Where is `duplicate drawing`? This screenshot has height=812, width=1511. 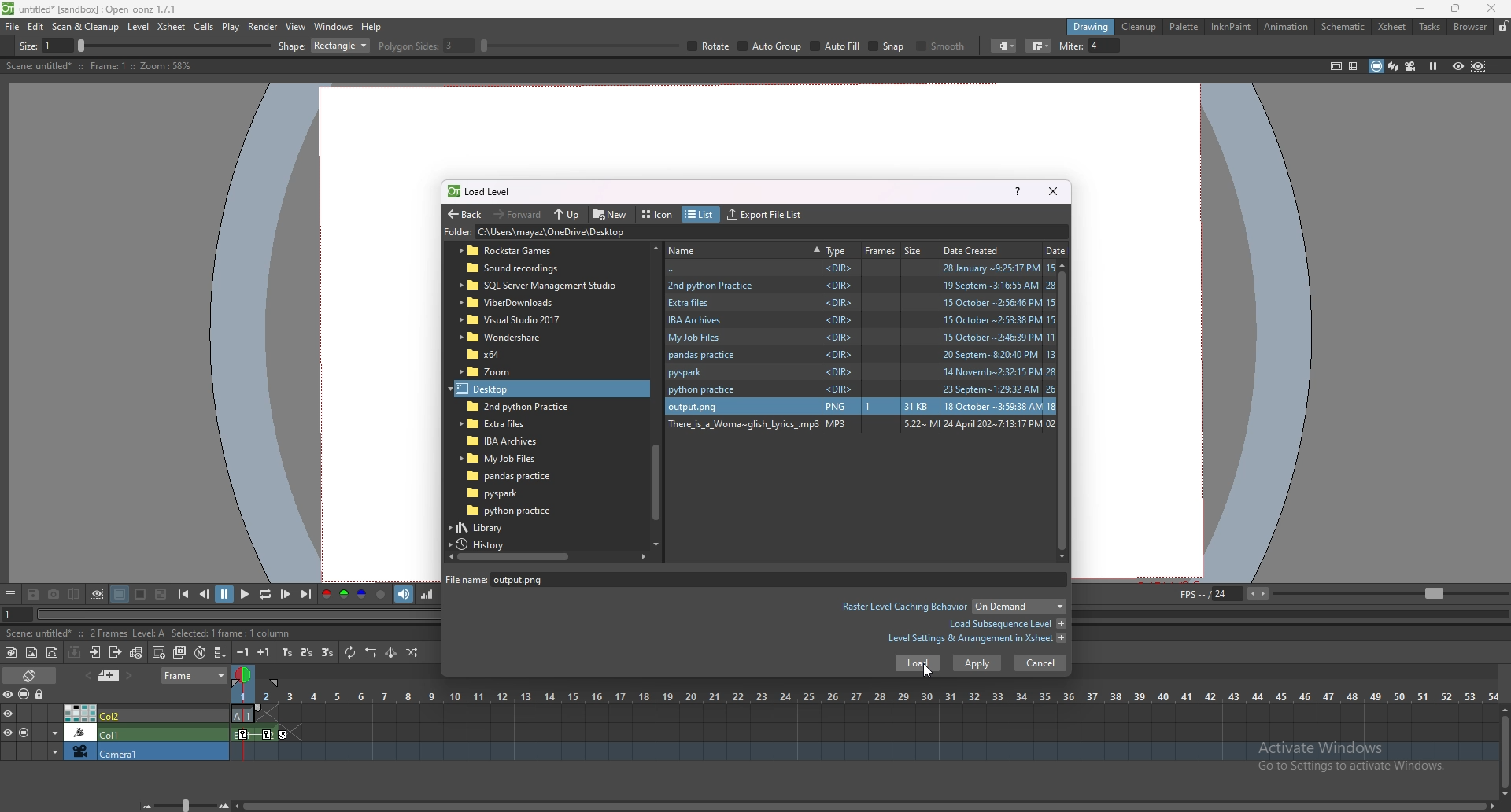 duplicate drawing is located at coordinates (181, 652).